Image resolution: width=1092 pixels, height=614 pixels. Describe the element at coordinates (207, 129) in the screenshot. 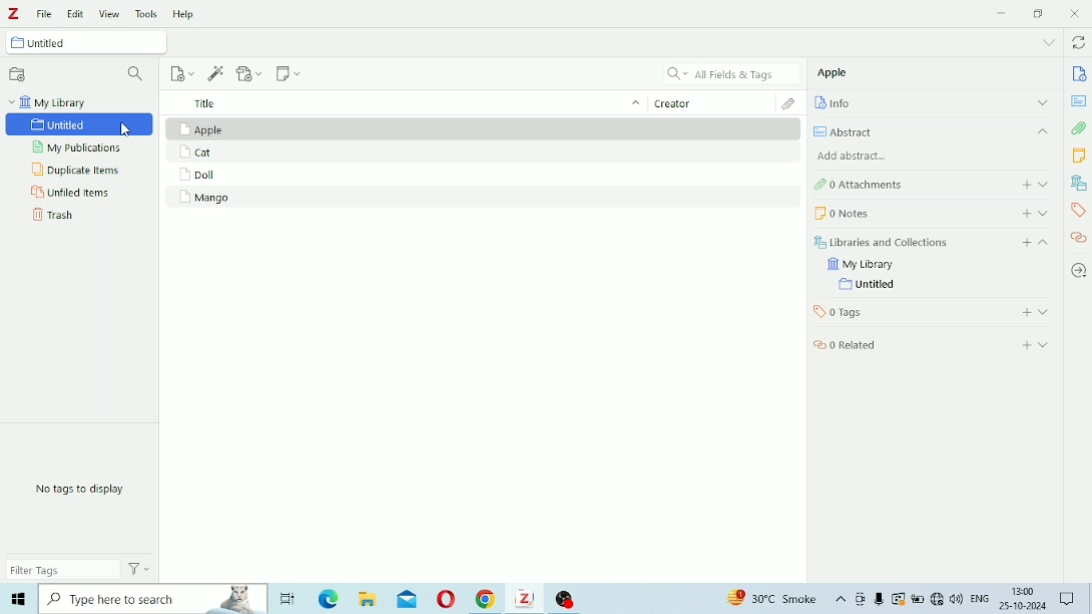

I see `Apple` at that location.